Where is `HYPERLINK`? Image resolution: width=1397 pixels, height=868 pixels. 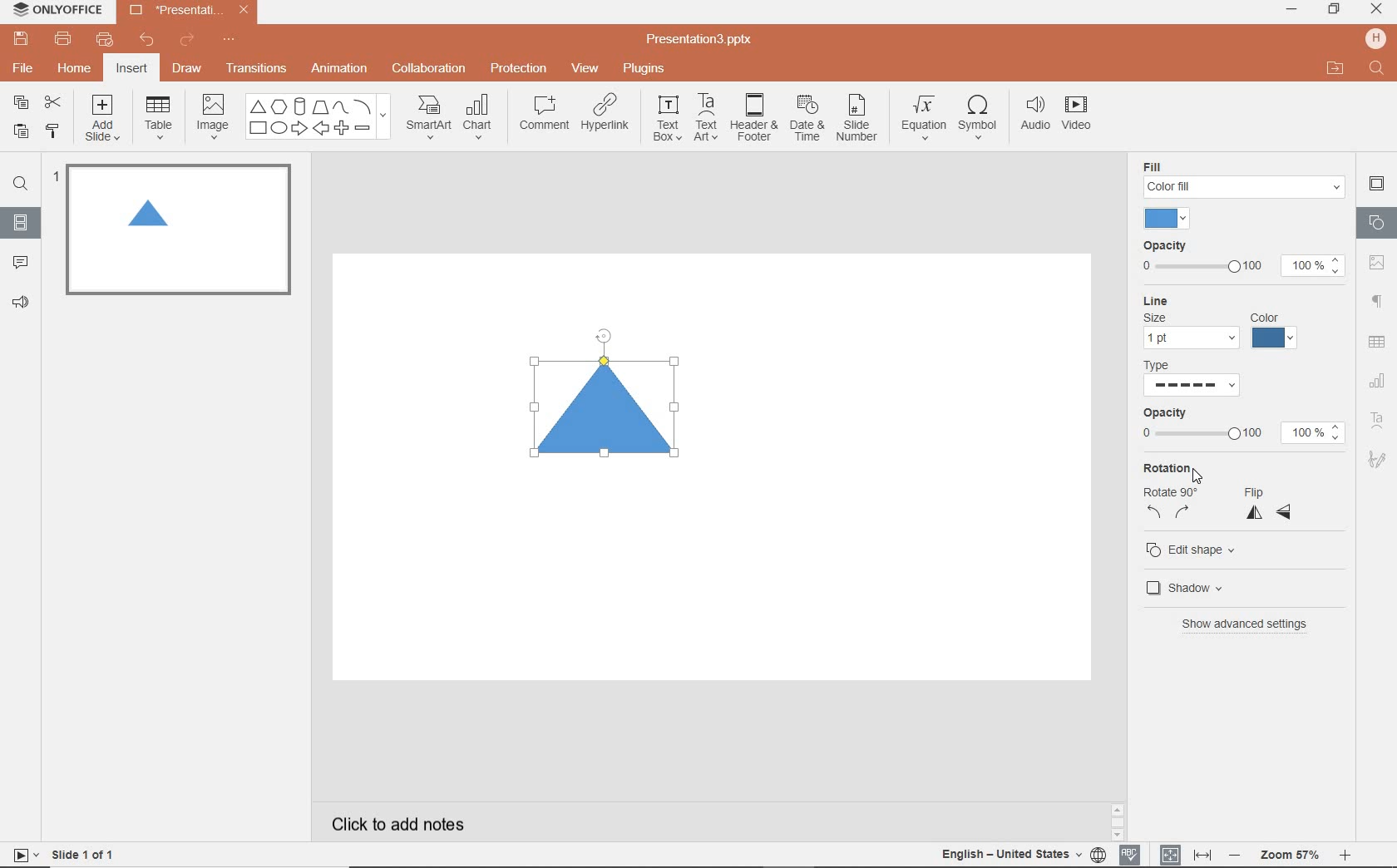
HYPERLINK is located at coordinates (605, 117).